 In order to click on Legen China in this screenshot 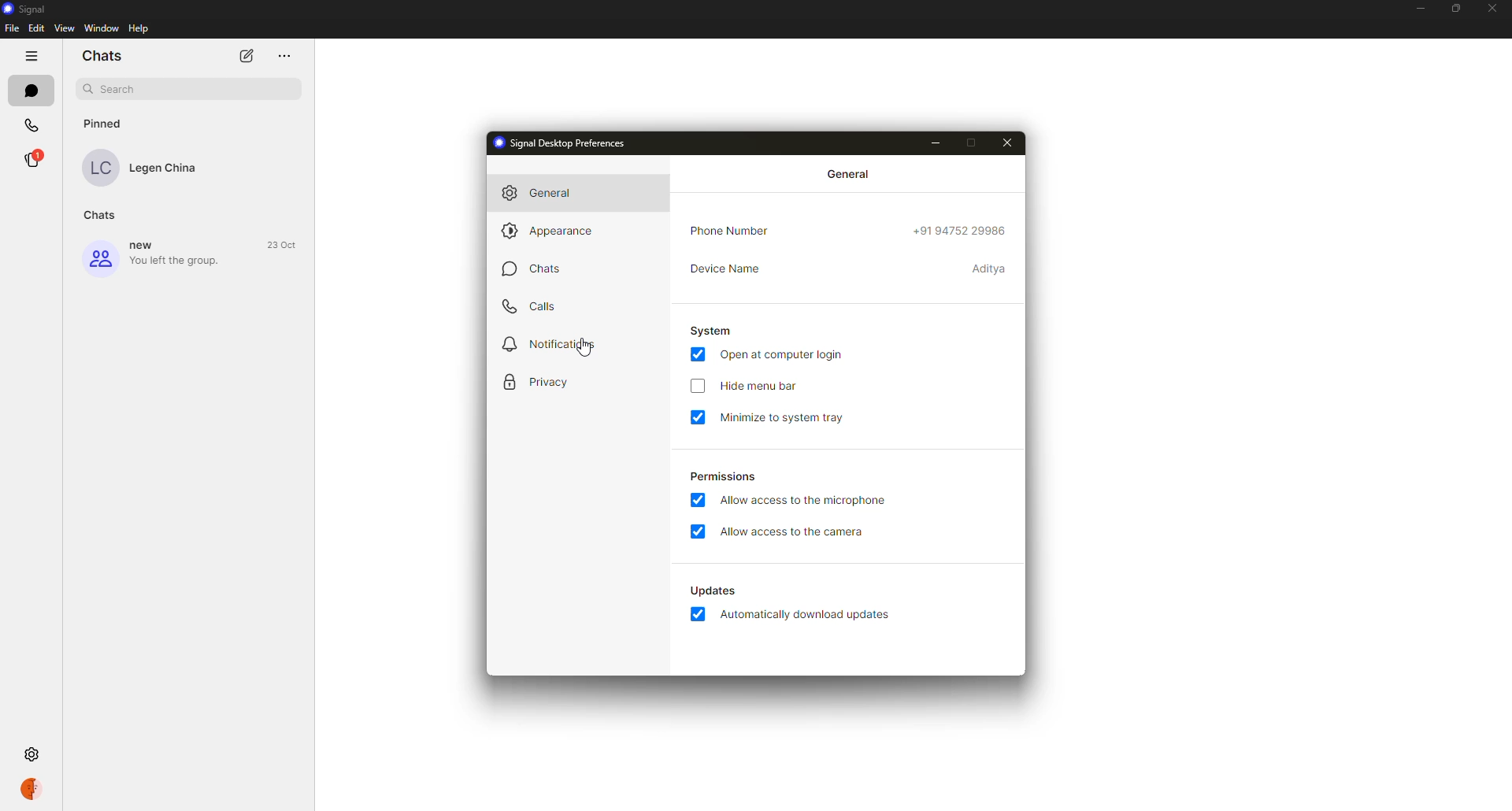, I will do `click(164, 168)`.